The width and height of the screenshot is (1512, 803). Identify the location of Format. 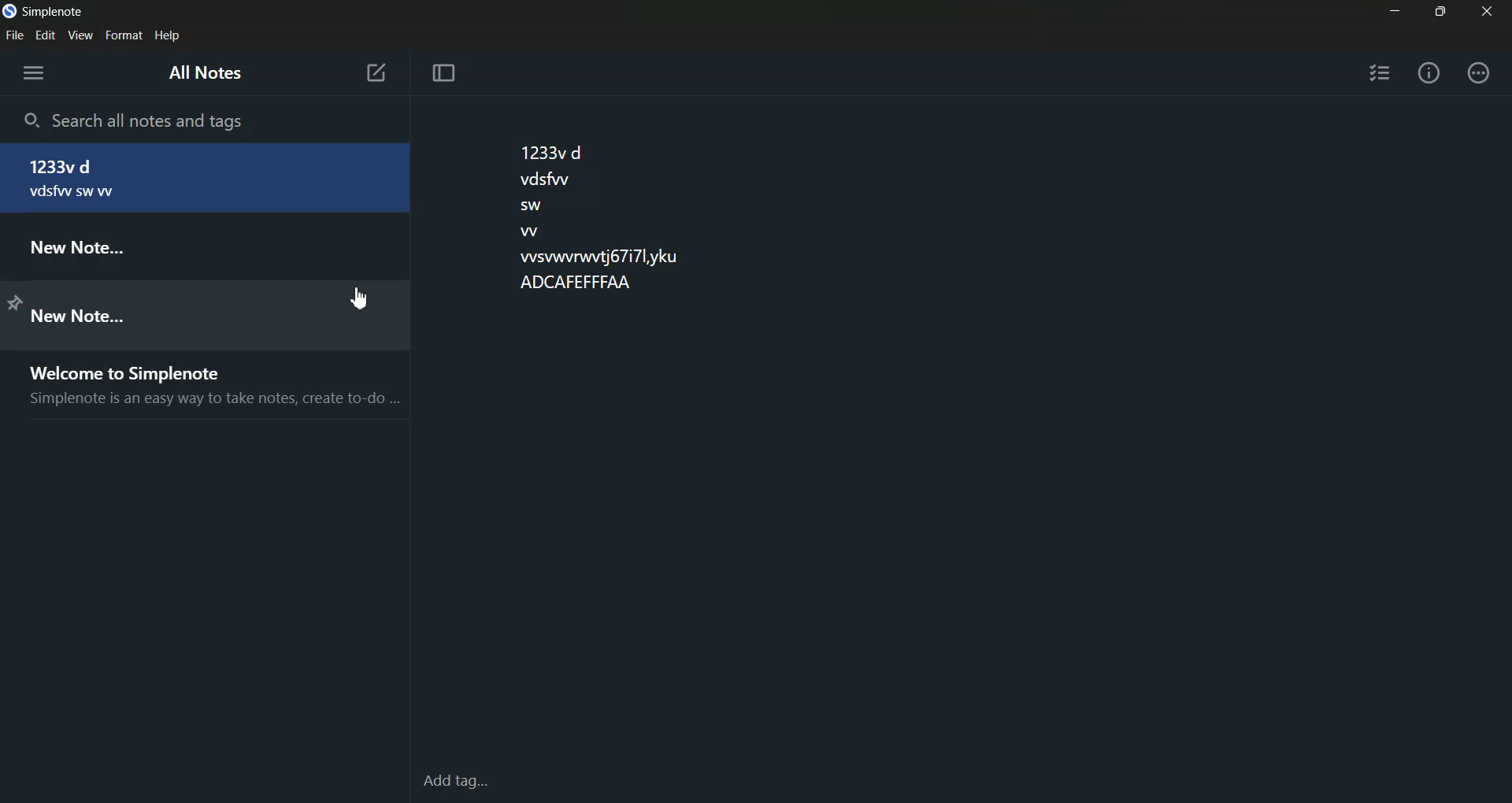
(123, 36).